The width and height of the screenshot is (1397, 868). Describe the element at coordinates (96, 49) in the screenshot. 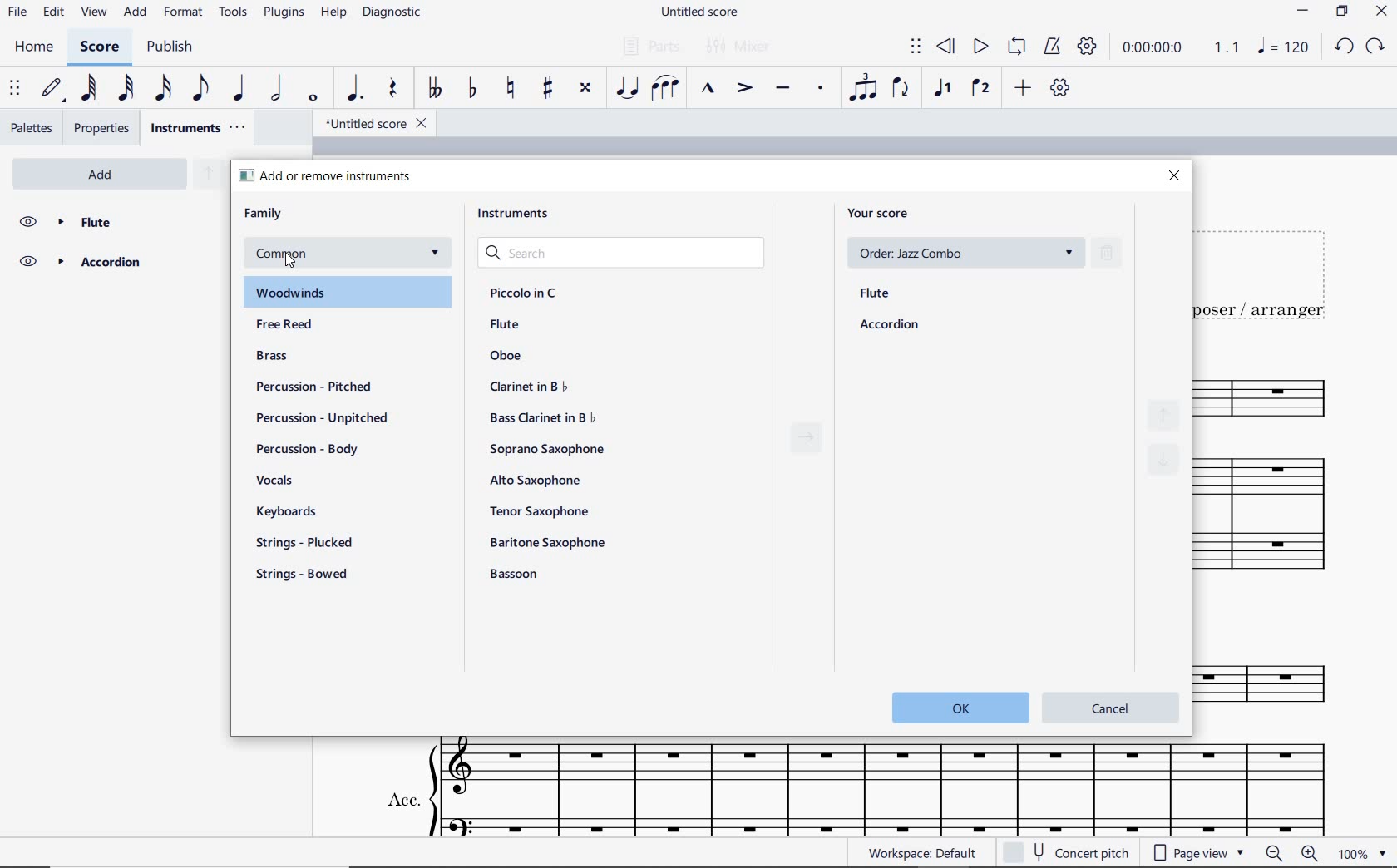

I see `SCORE` at that location.